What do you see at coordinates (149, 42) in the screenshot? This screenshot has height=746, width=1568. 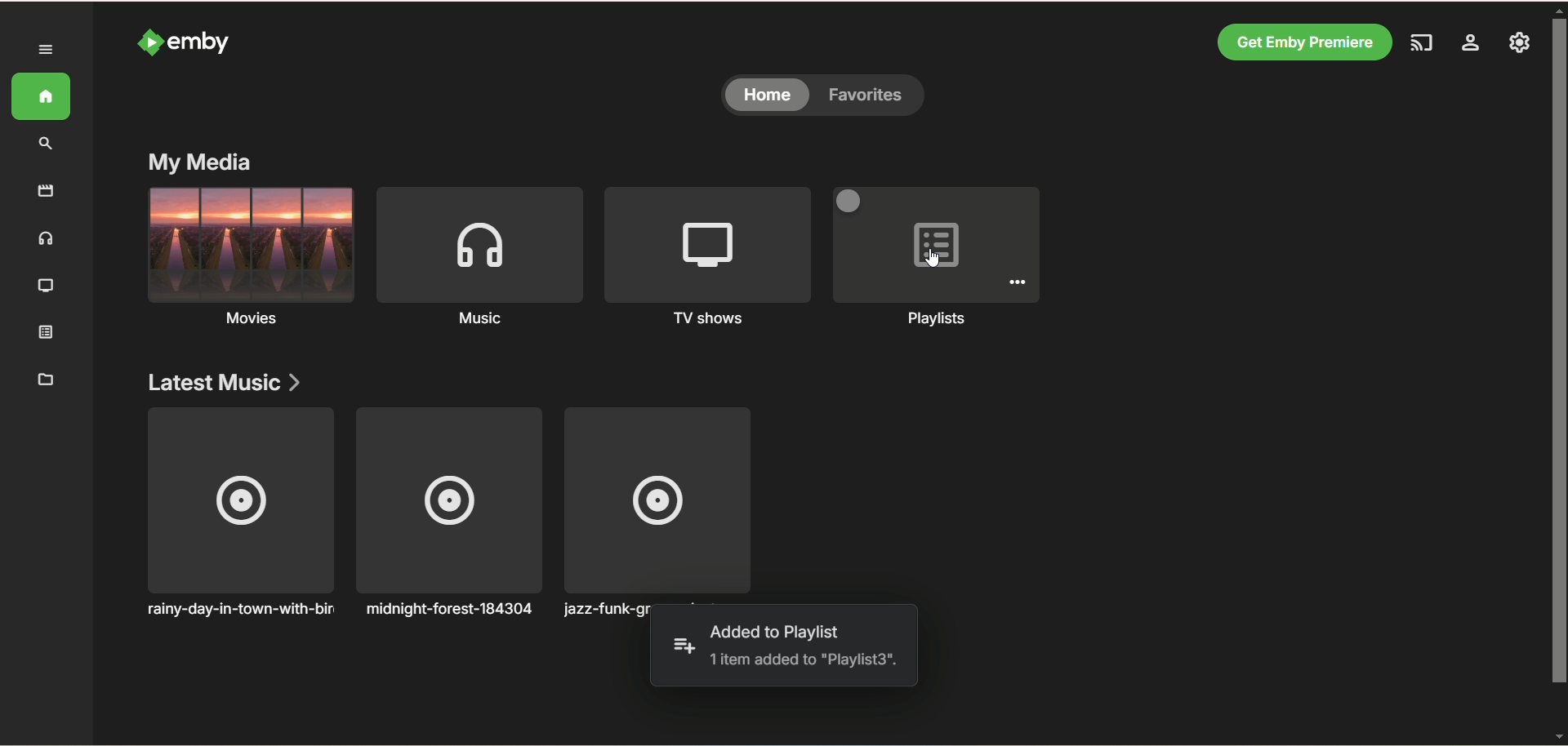 I see `Emby logo` at bounding box center [149, 42].